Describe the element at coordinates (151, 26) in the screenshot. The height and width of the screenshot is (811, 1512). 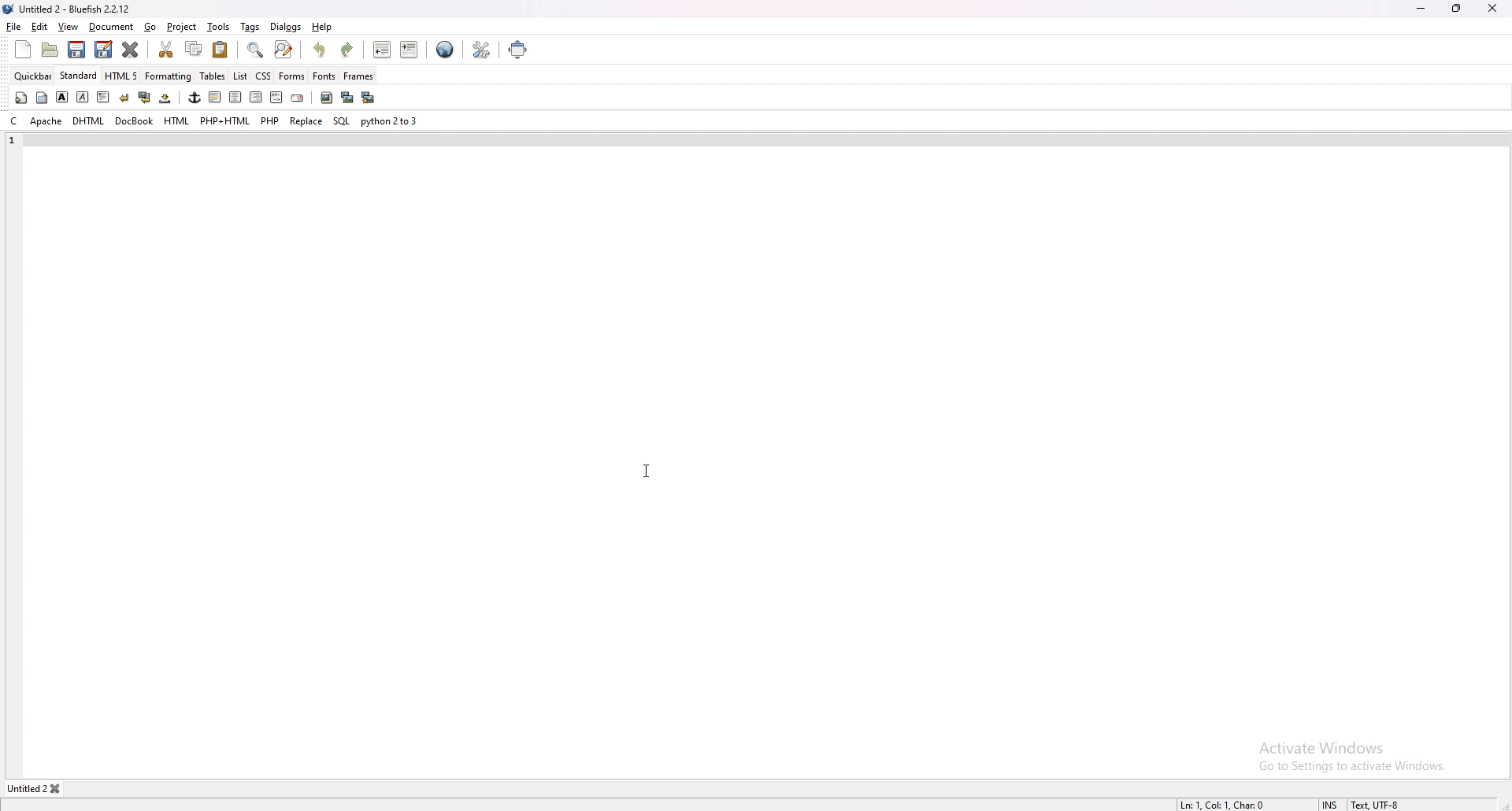
I see `go` at that location.